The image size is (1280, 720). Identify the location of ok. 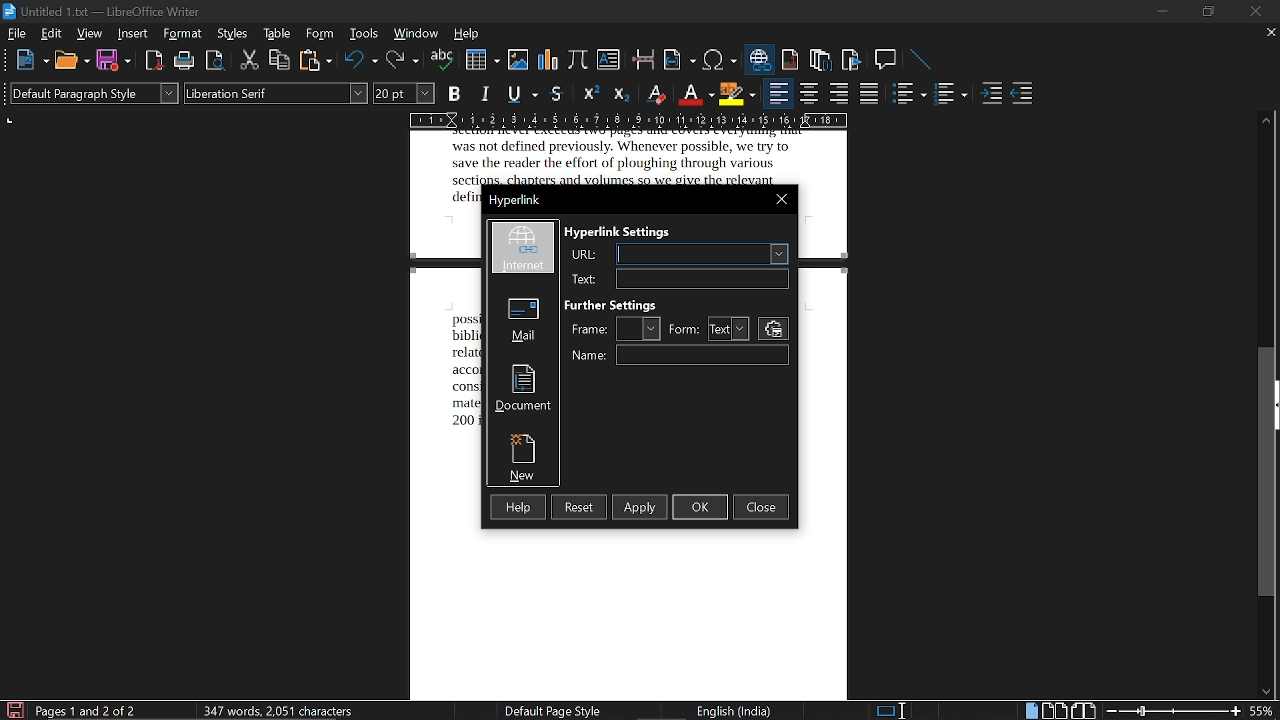
(701, 508).